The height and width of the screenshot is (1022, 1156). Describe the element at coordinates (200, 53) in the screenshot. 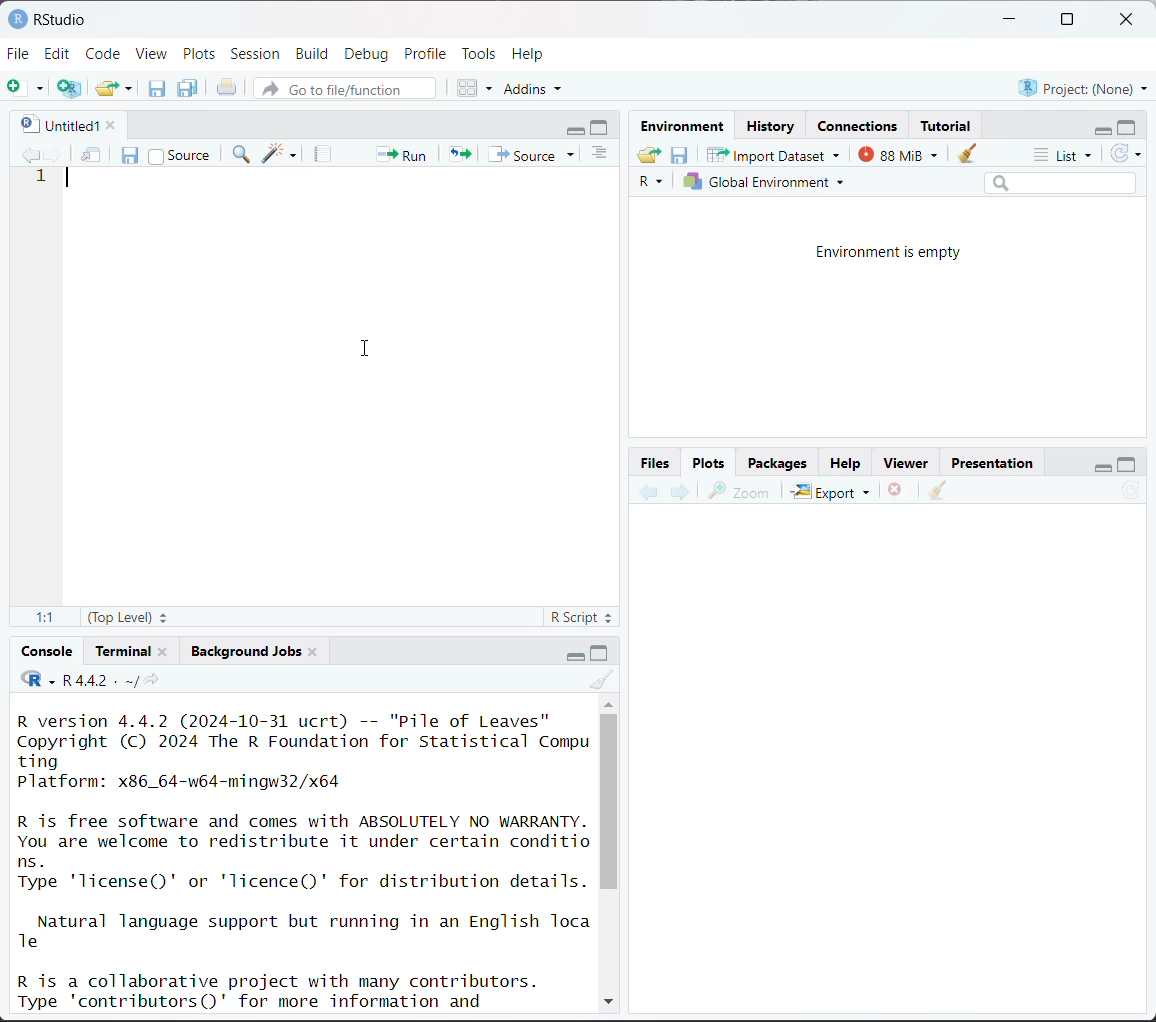

I see `Plots` at that location.